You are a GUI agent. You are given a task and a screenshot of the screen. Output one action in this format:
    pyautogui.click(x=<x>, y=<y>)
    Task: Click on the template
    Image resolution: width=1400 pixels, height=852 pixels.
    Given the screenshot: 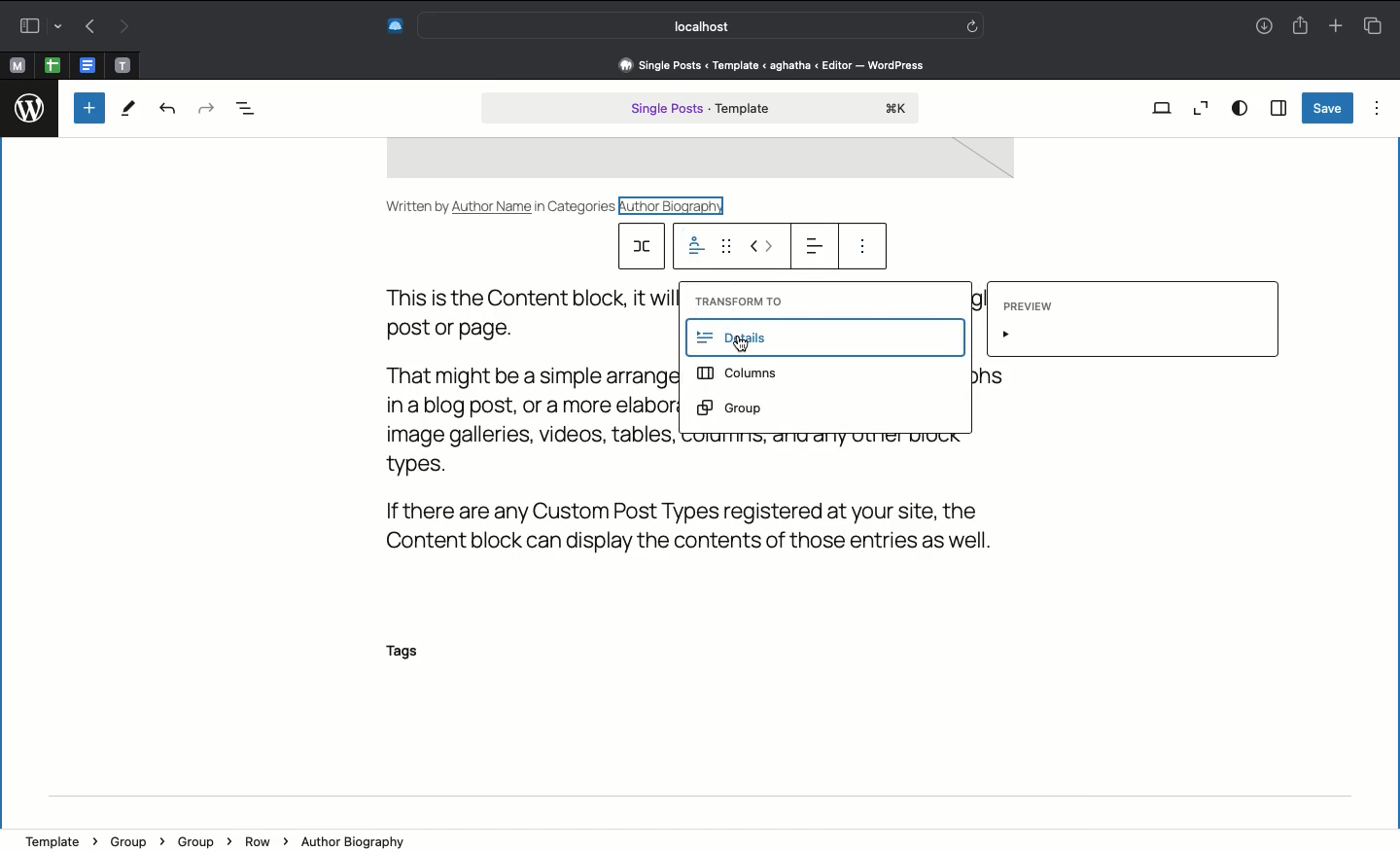 What is the action you would take?
    pyautogui.click(x=59, y=835)
    